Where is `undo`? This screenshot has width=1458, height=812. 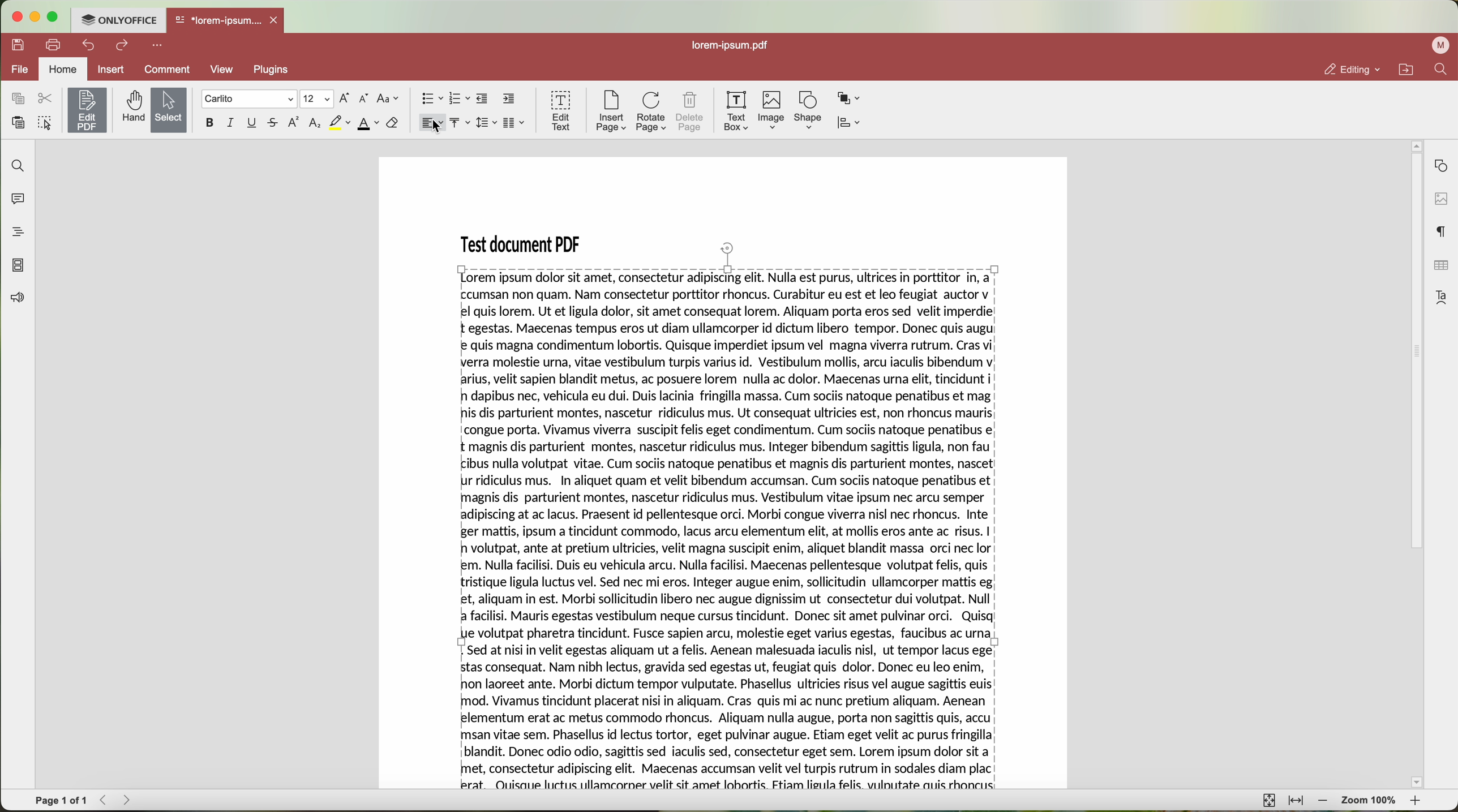
undo is located at coordinates (90, 45).